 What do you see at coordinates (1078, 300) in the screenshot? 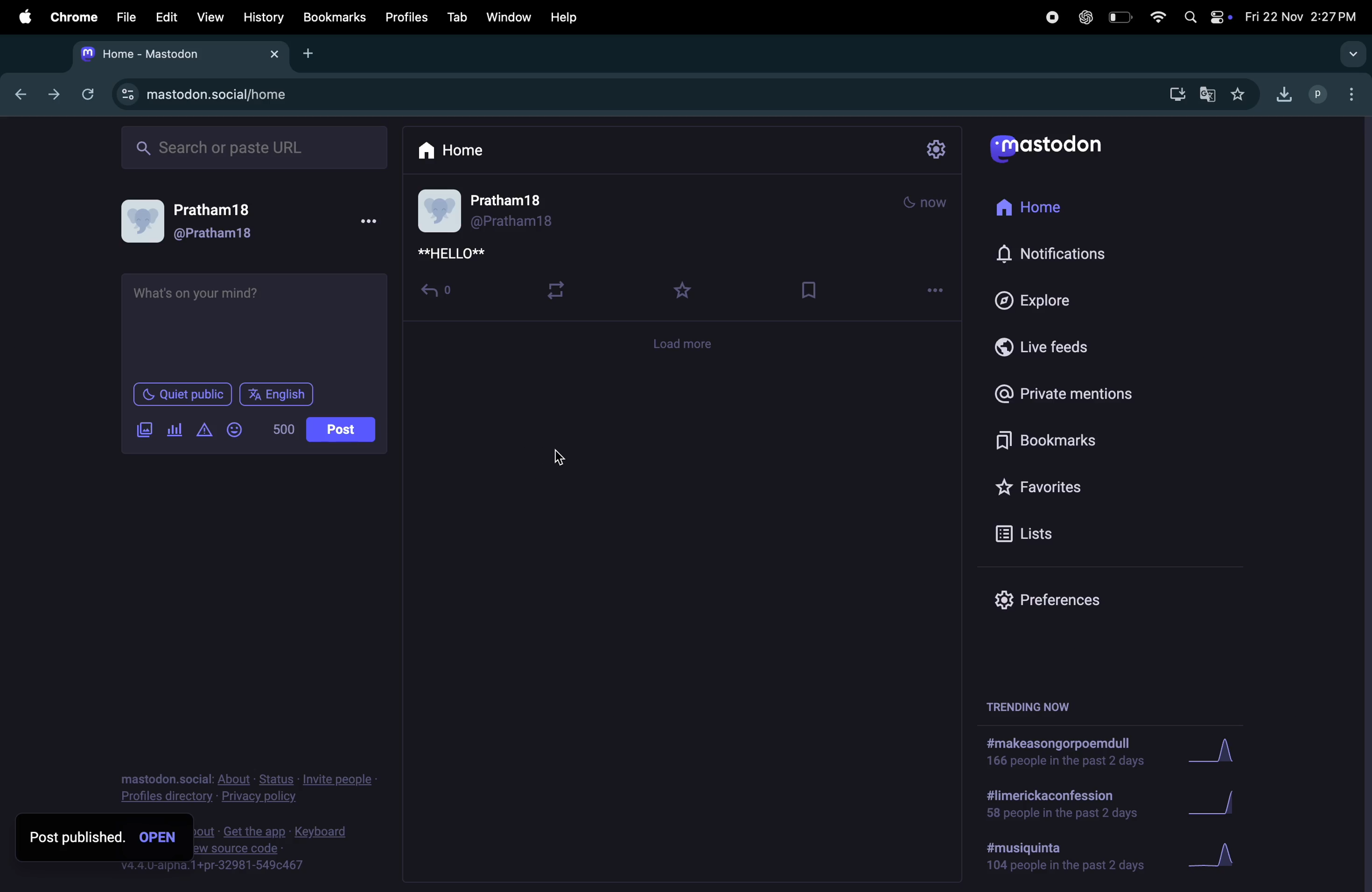
I see `explore` at bounding box center [1078, 300].